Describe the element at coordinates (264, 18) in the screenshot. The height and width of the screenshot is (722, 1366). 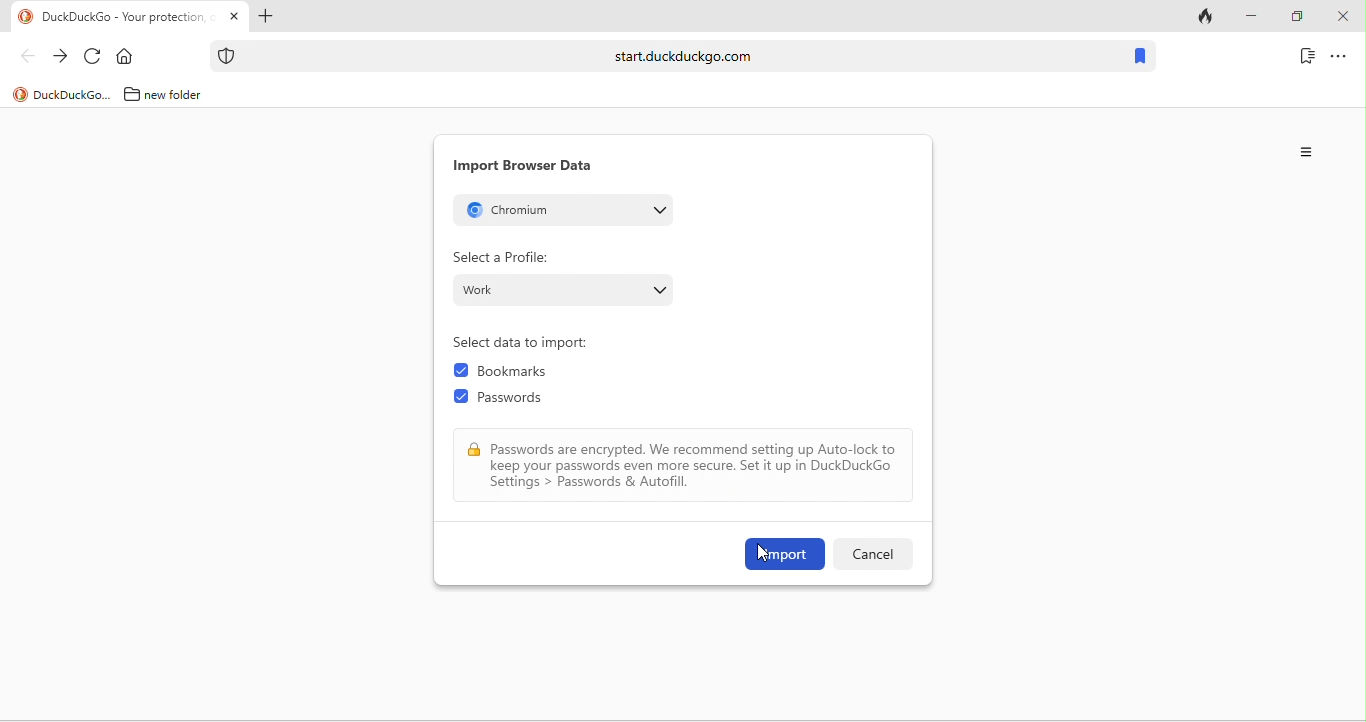
I see `add tab` at that location.